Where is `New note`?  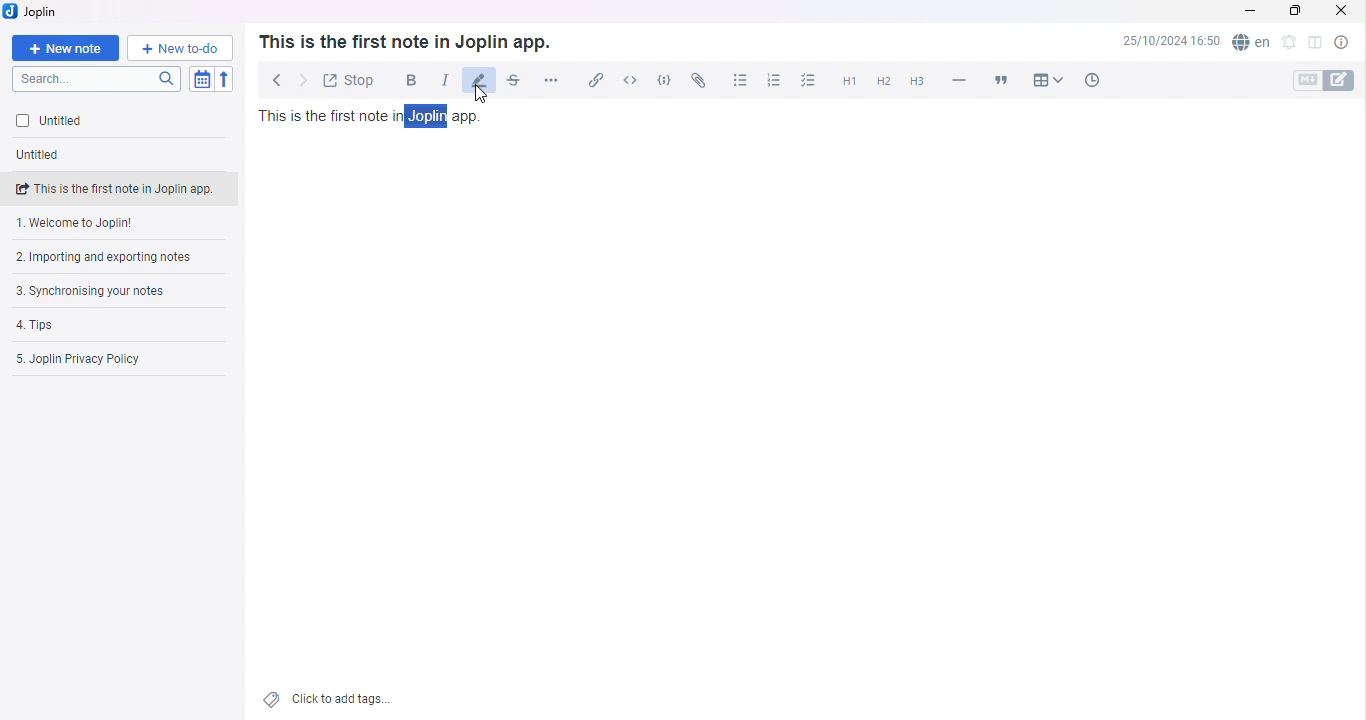
New note is located at coordinates (67, 47).